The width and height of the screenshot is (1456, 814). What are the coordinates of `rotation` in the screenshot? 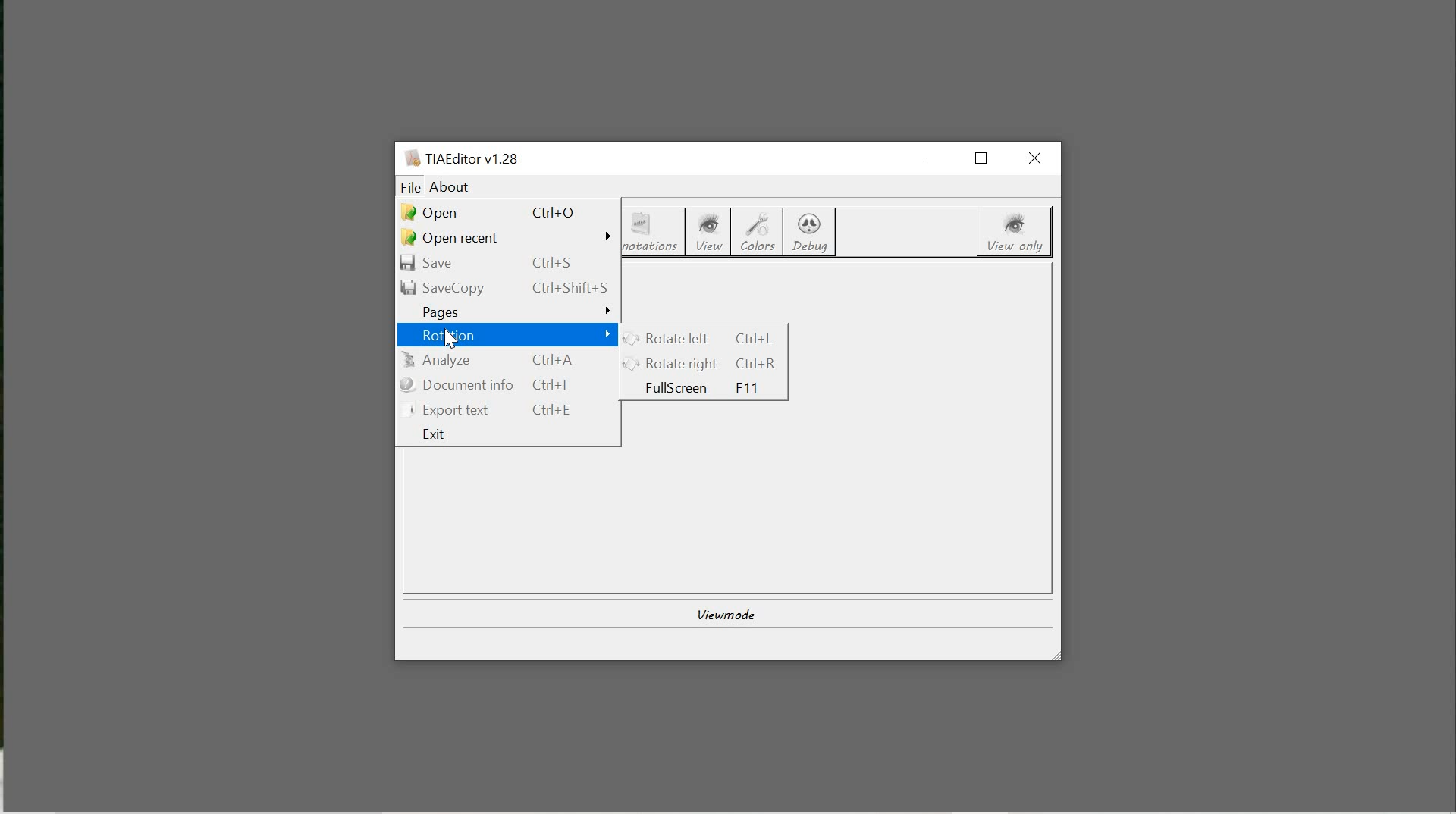 It's located at (510, 337).